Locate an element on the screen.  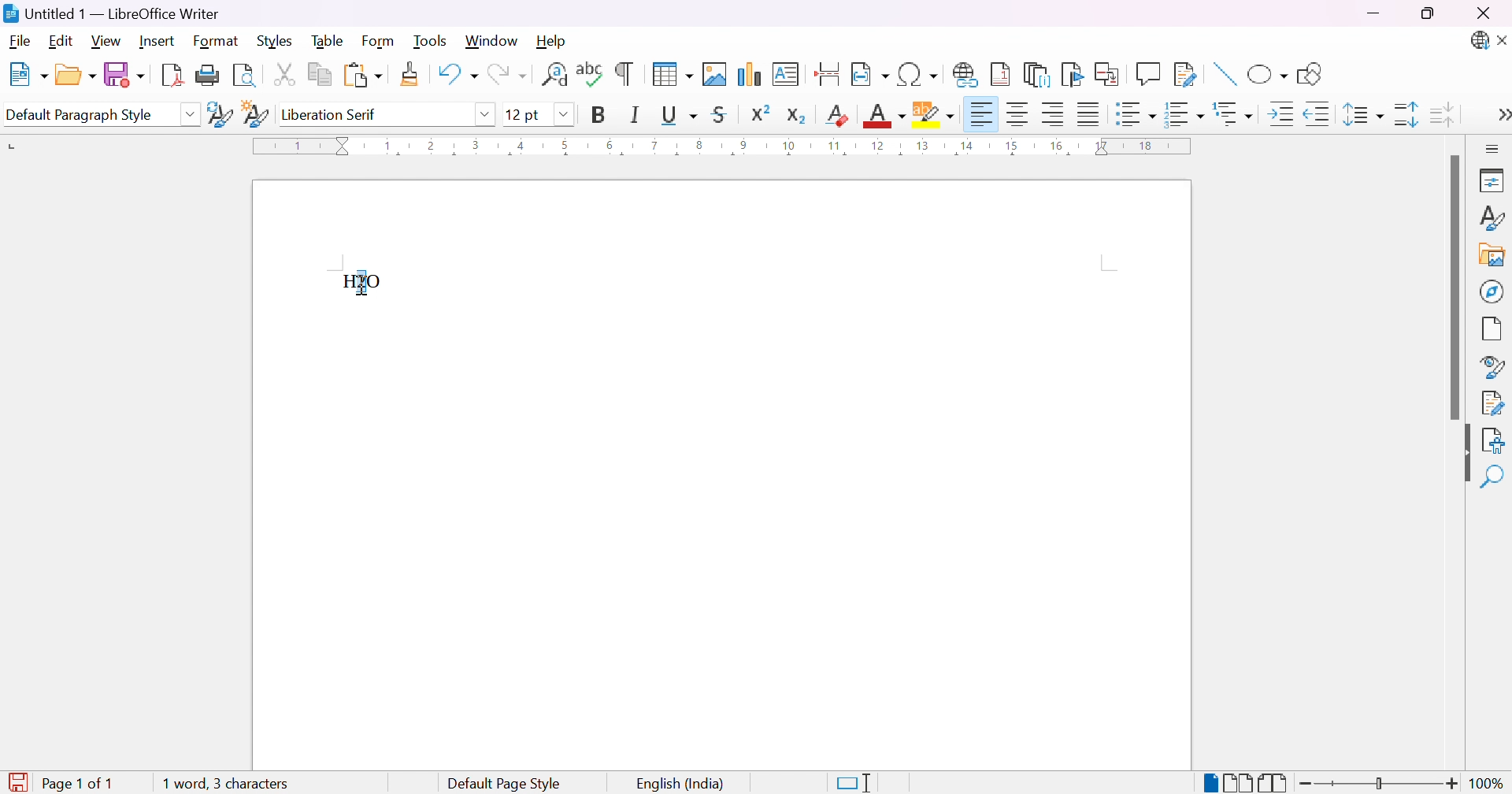
New style from selection is located at coordinates (258, 116).